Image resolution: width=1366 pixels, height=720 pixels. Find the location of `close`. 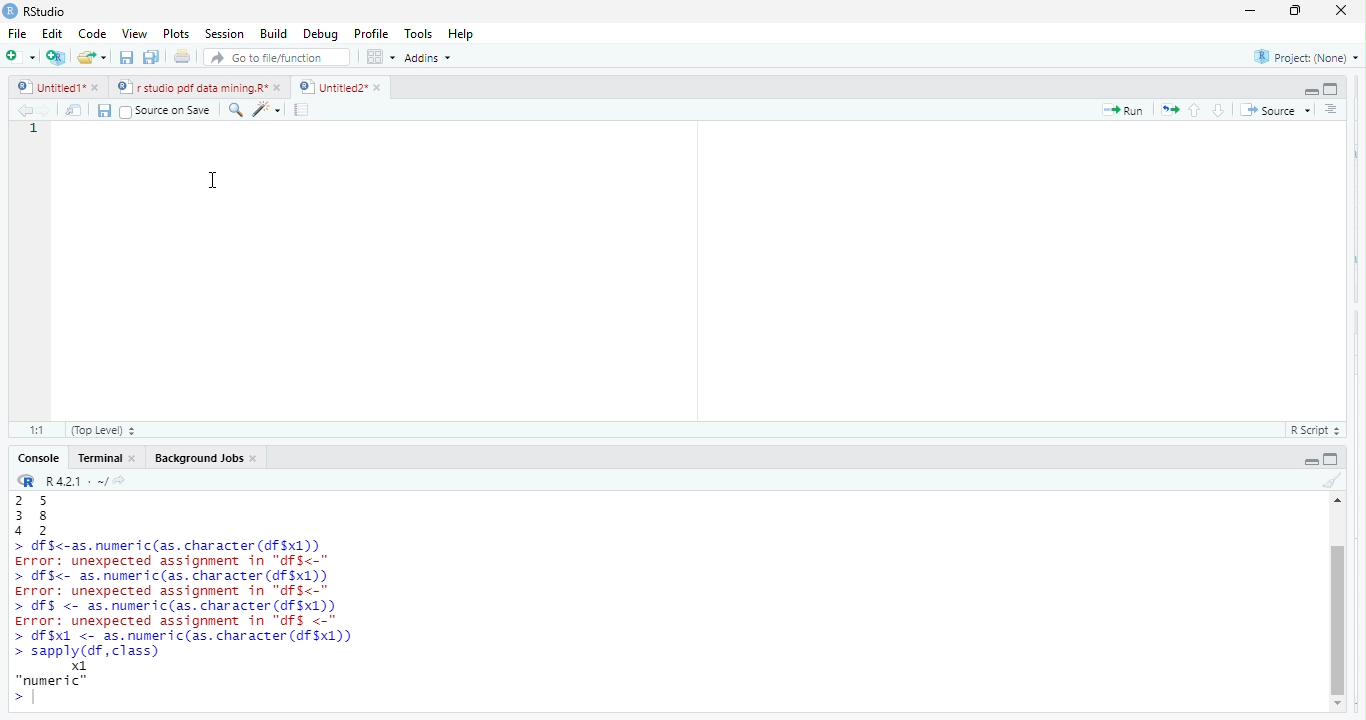

close is located at coordinates (135, 460).